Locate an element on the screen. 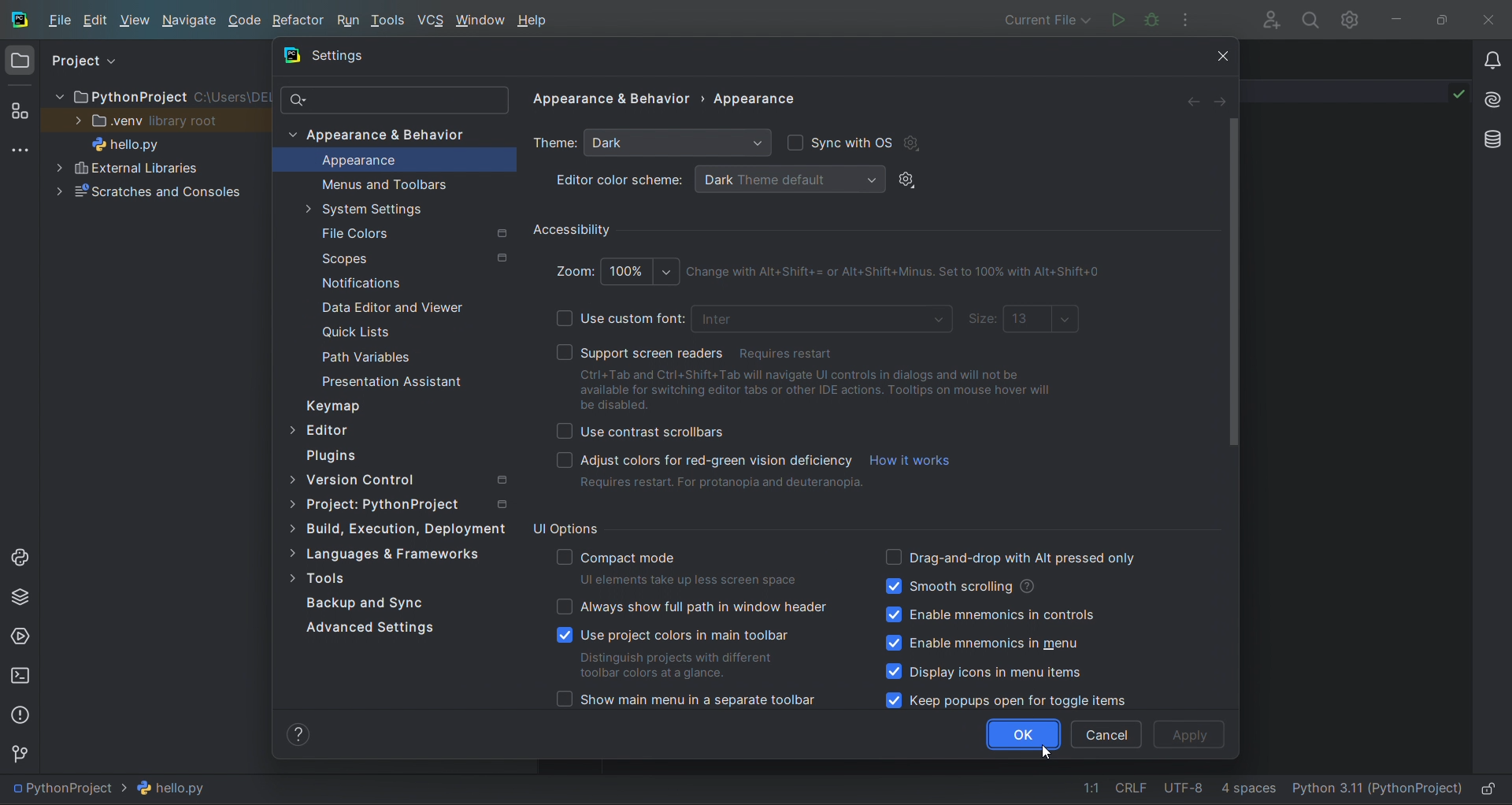 This screenshot has height=805, width=1512. version contol is located at coordinates (400, 482).